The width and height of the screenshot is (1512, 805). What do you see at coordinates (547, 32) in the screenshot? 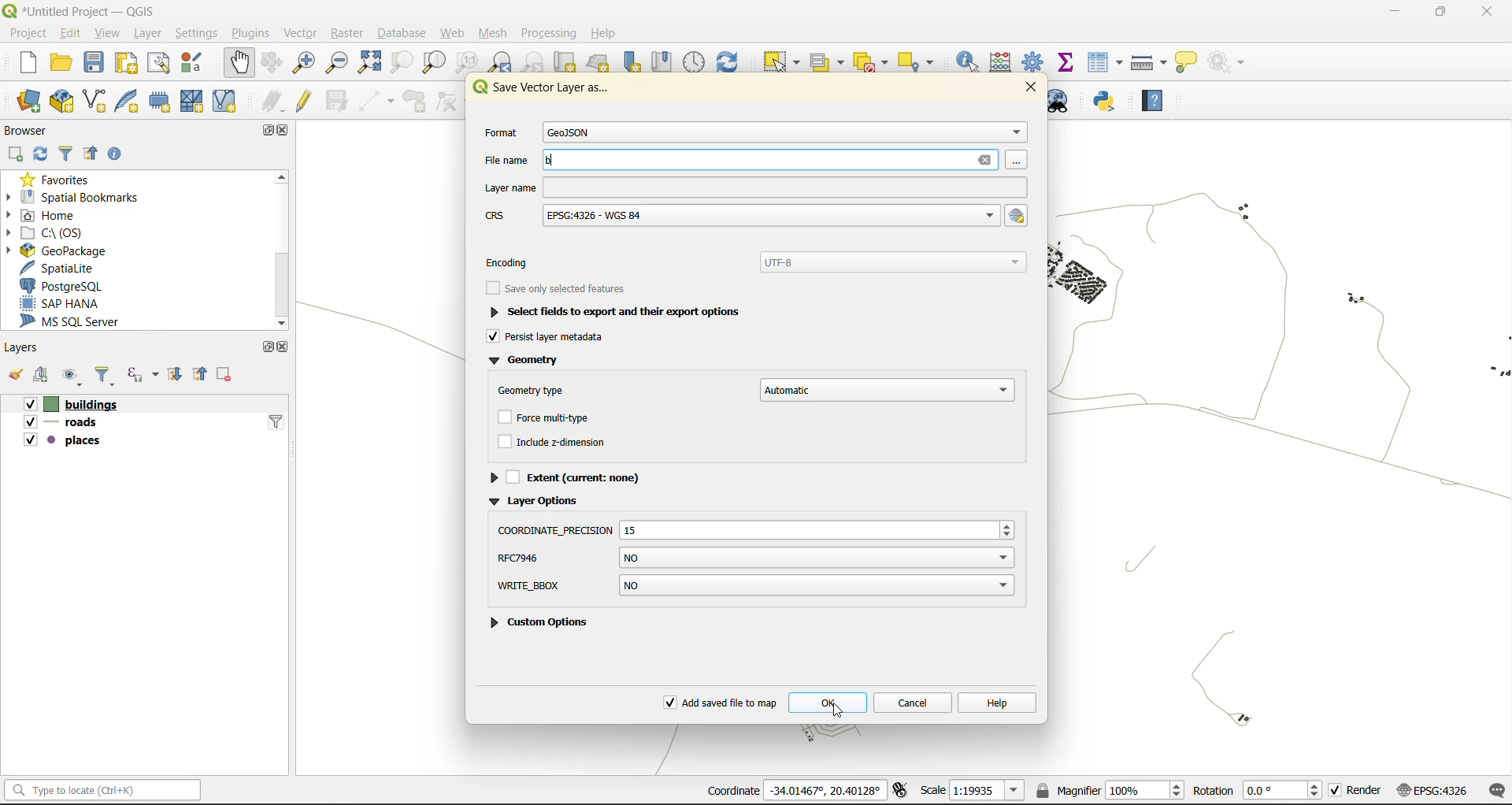
I see `processing` at bounding box center [547, 32].